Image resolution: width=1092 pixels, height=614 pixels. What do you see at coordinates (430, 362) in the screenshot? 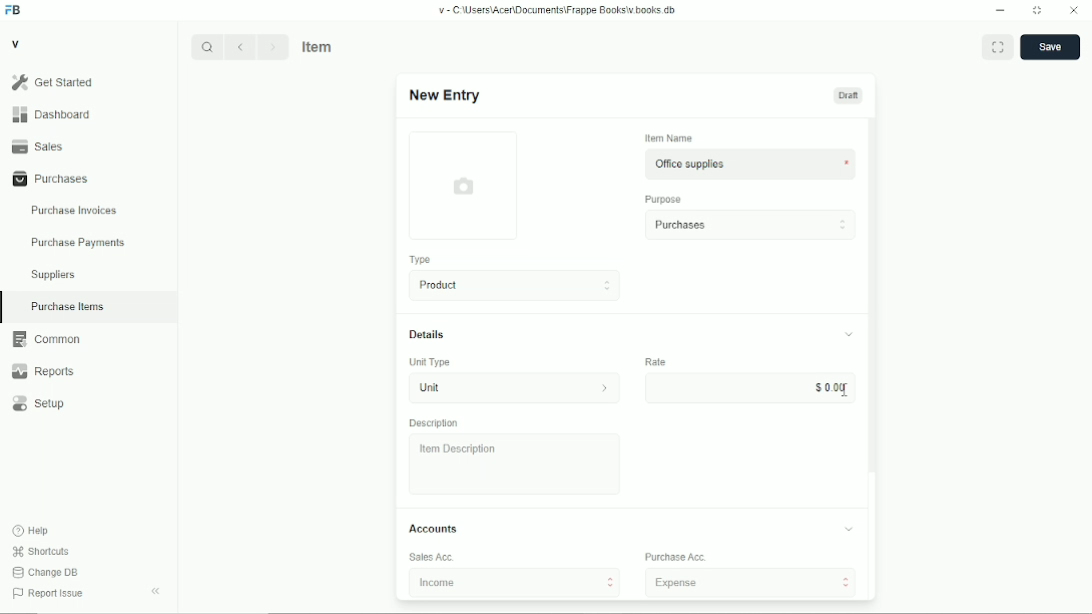
I see `unit type` at bounding box center [430, 362].